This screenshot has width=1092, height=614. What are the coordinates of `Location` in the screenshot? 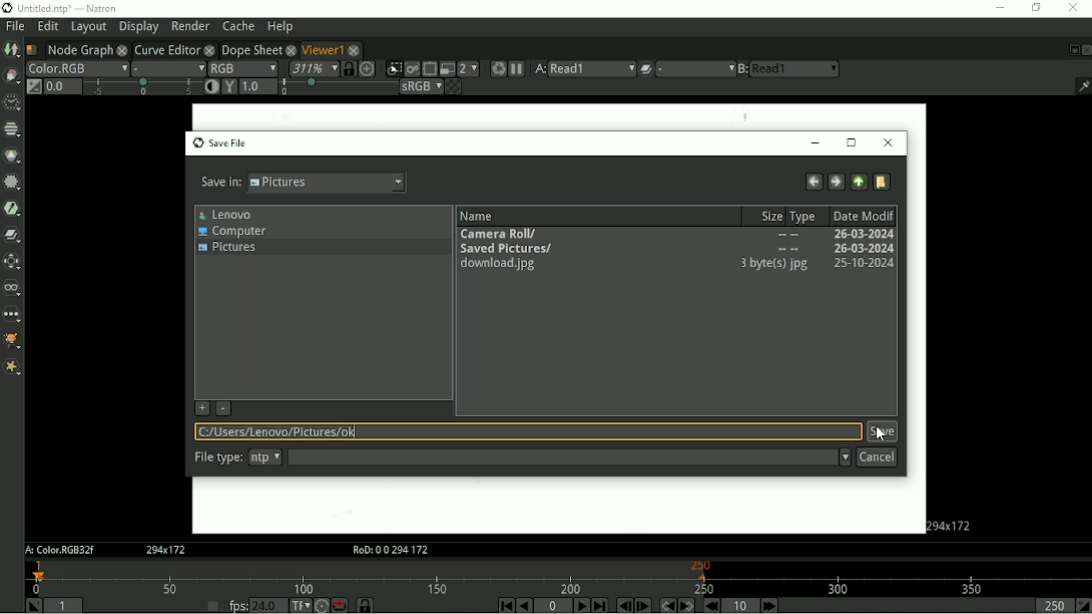 It's located at (528, 431).